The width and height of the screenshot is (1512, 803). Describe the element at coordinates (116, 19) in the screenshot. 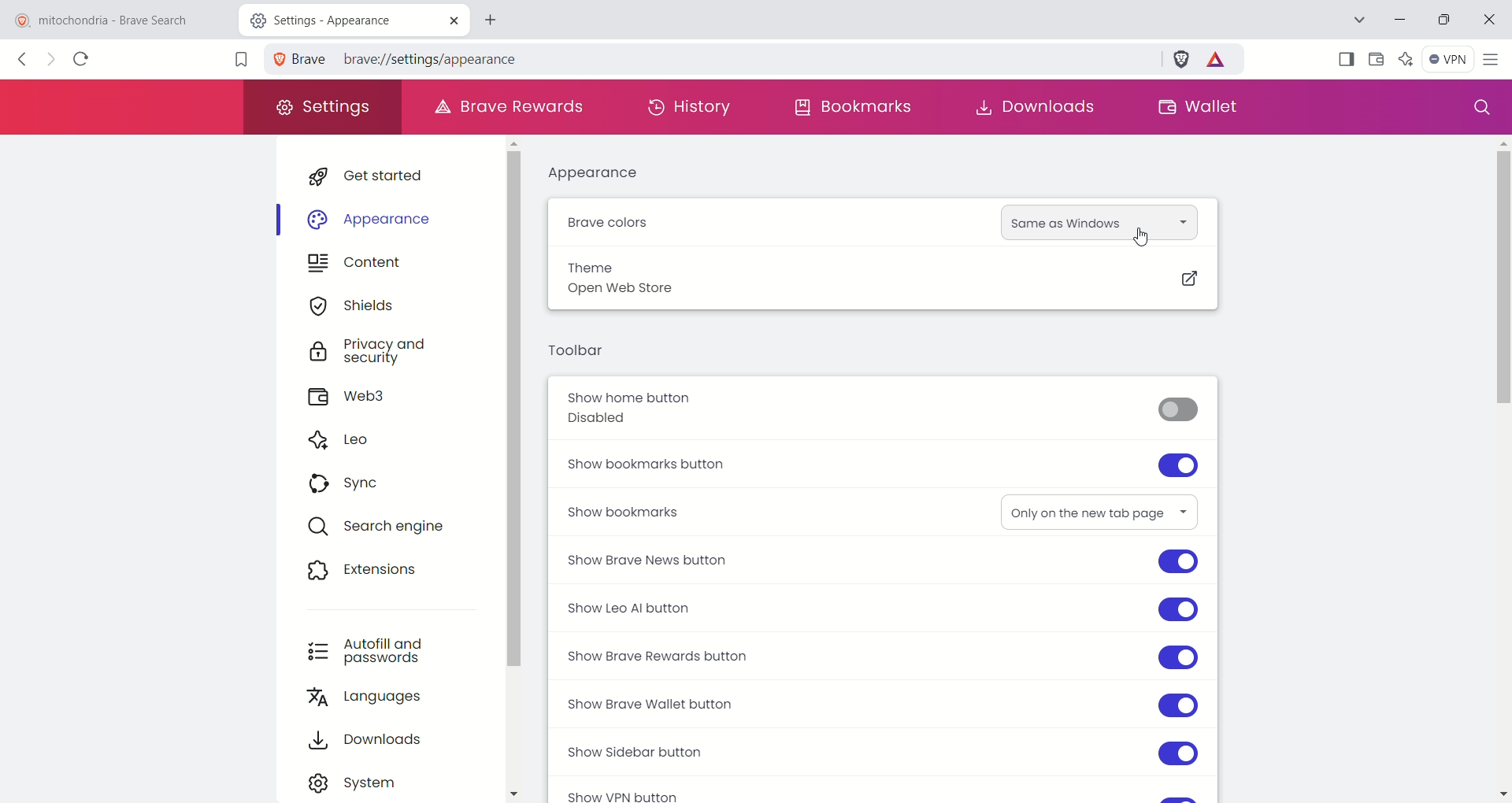

I see `mitochondria - brave search` at that location.